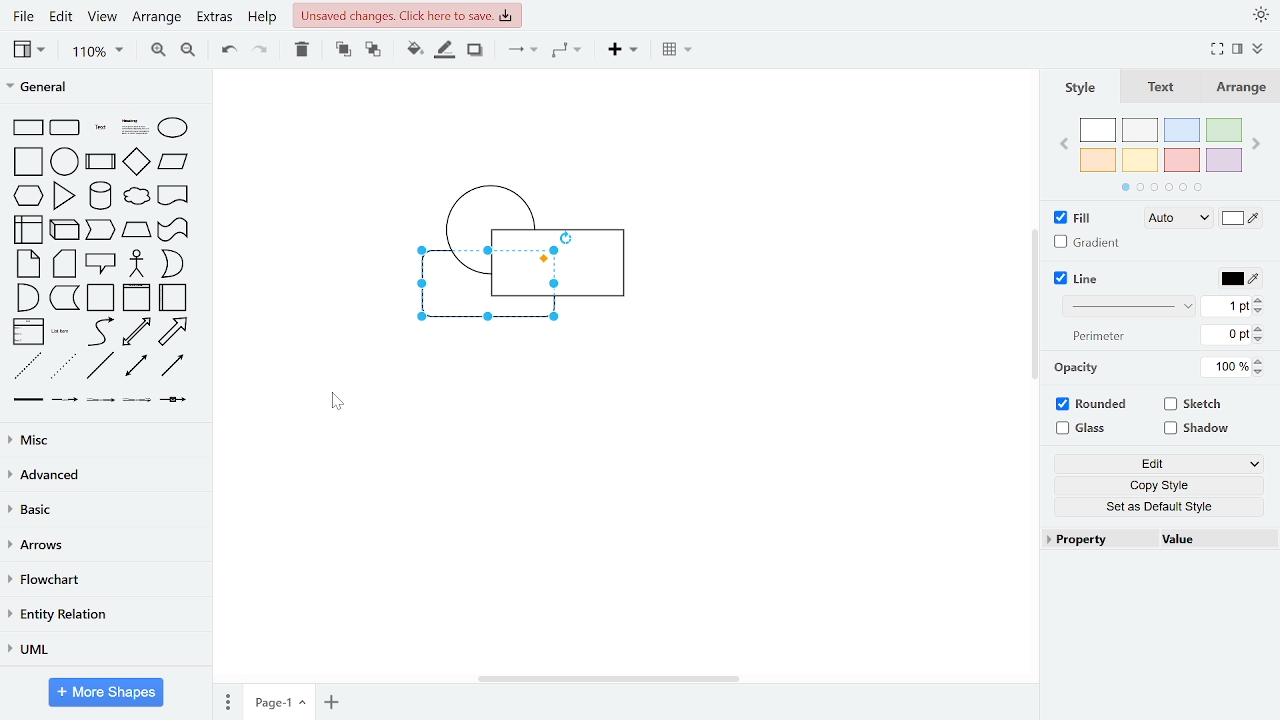 The width and height of the screenshot is (1280, 720). What do you see at coordinates (1091, 404) in the screenshot?
I see `rounded` at bounding box center [1091, 404].